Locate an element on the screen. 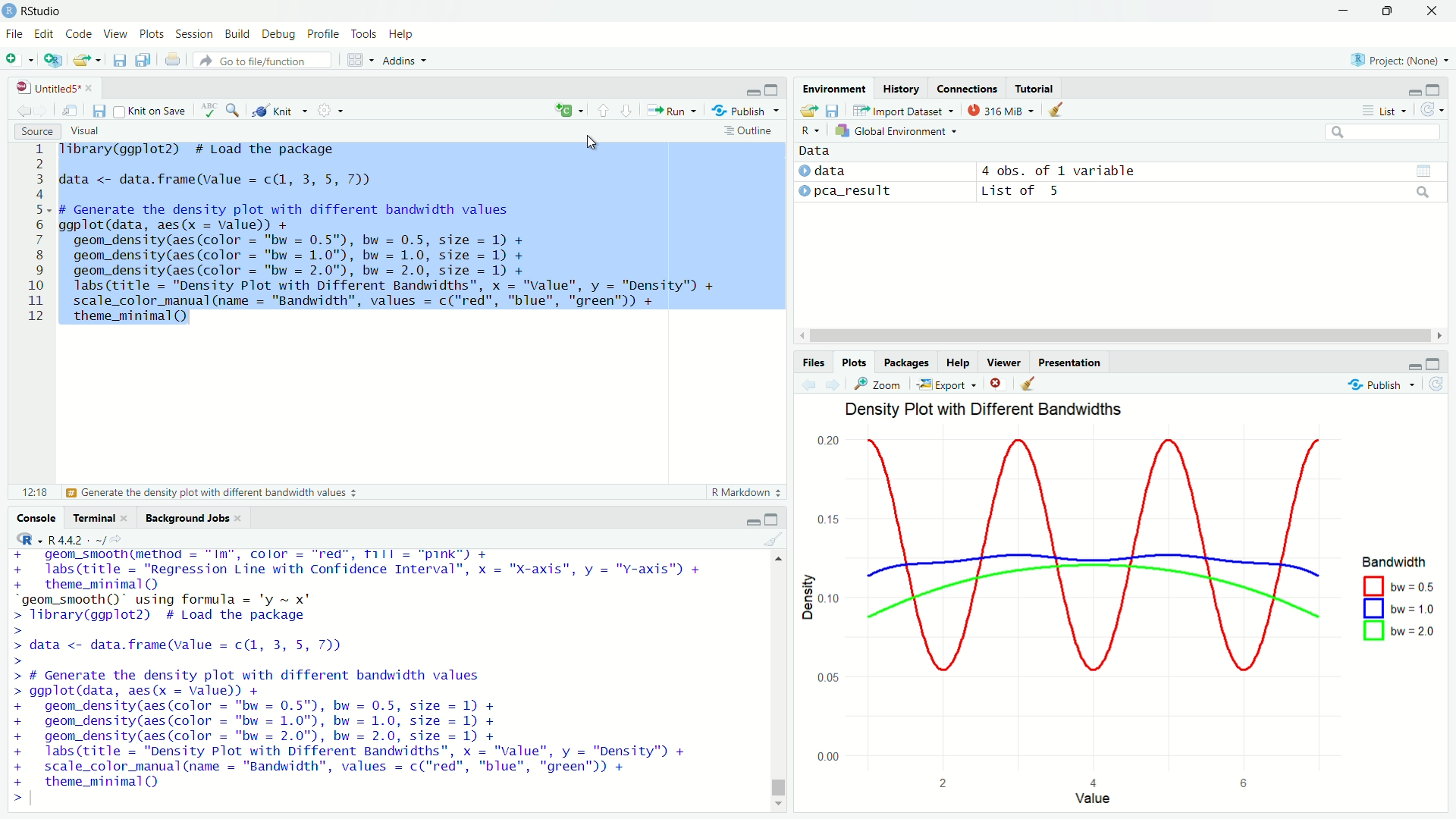  Project: (None) is located at coordinates (1398, 58).